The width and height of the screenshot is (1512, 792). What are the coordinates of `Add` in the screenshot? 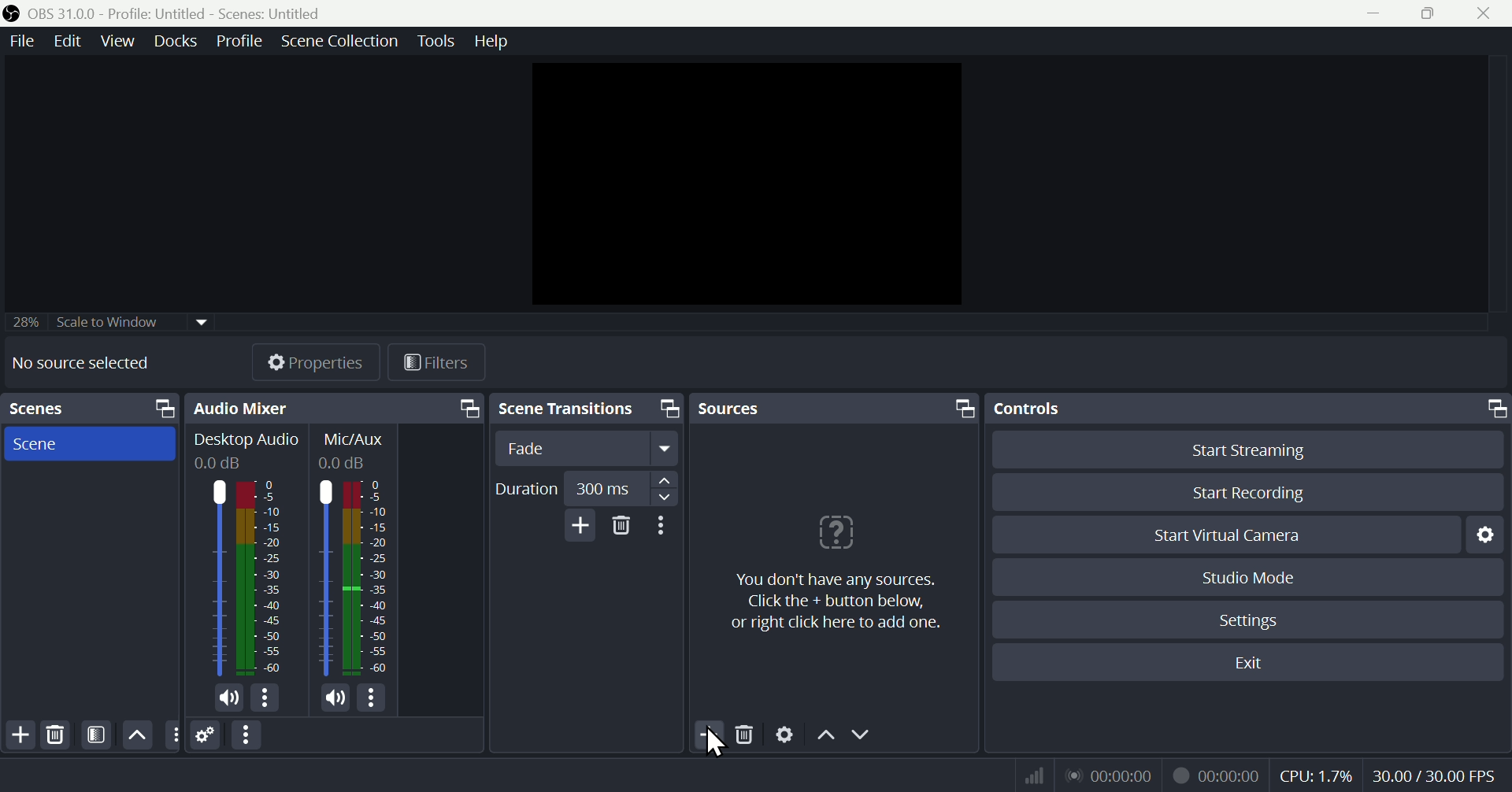 It's located at (711, 736).